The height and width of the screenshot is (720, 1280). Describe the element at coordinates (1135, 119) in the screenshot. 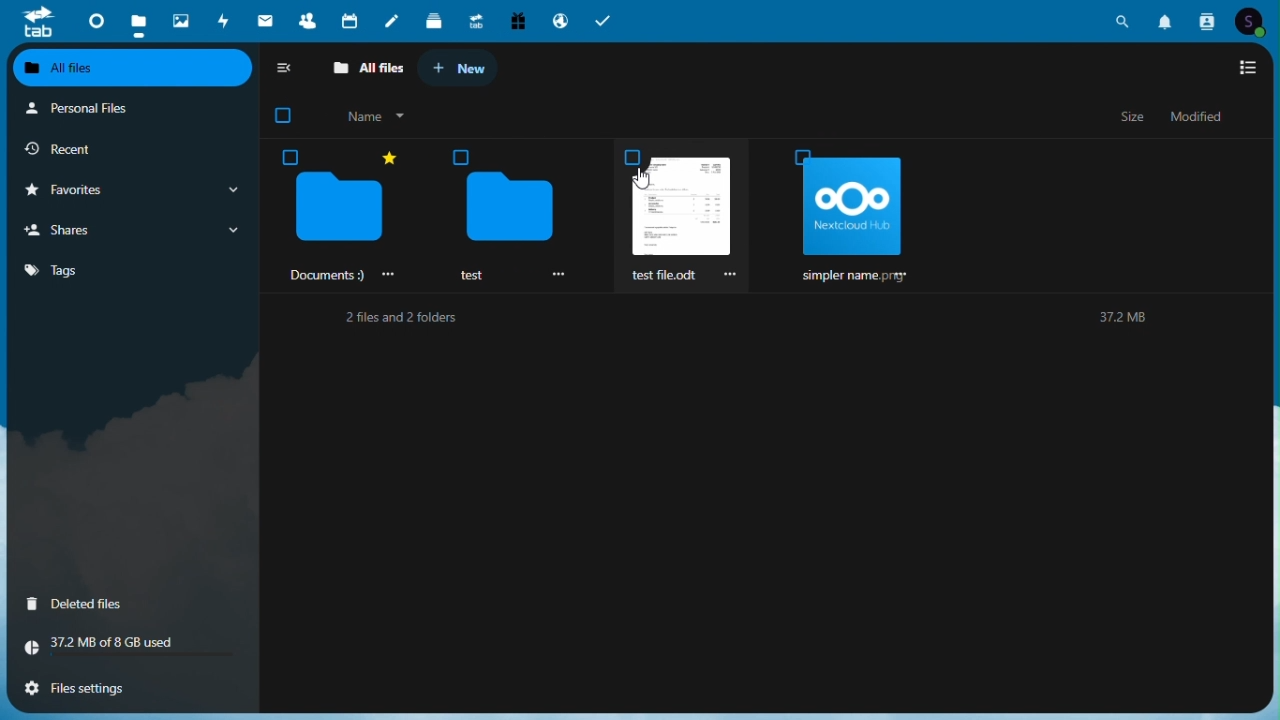

I see `Size` at that location.